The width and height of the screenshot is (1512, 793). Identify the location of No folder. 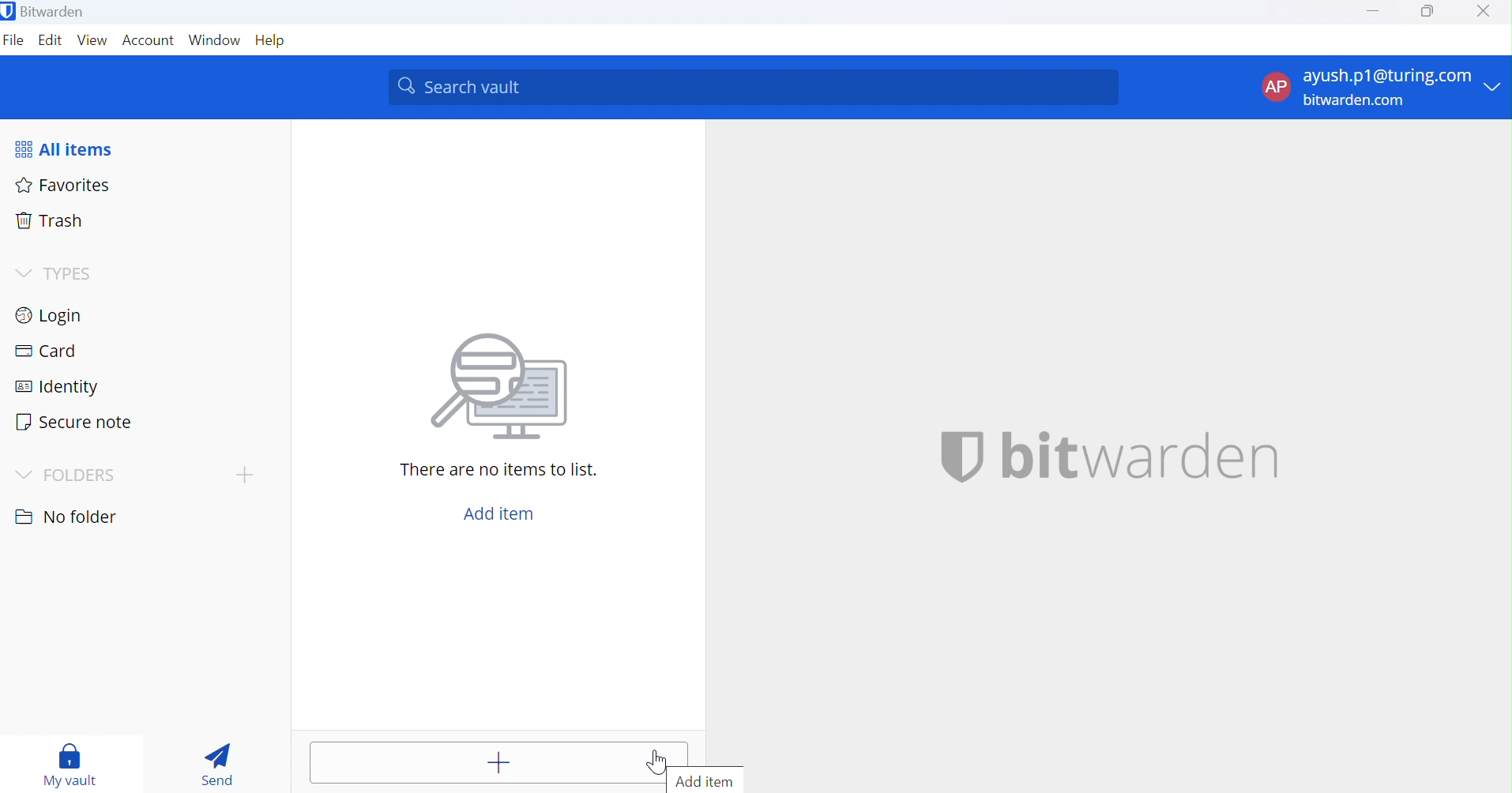
(65, 513).